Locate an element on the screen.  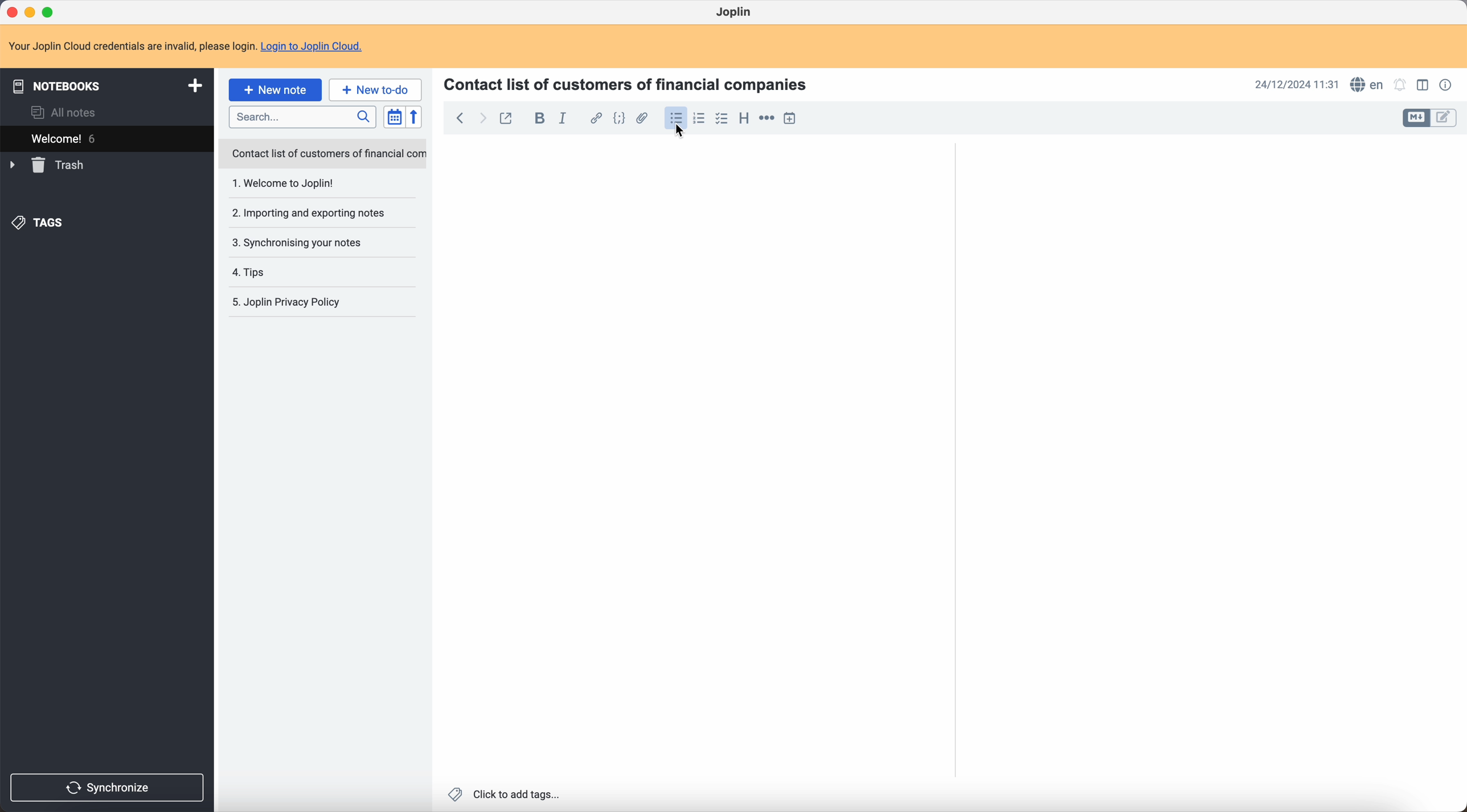
body text is located at coordinates (1205, 475).